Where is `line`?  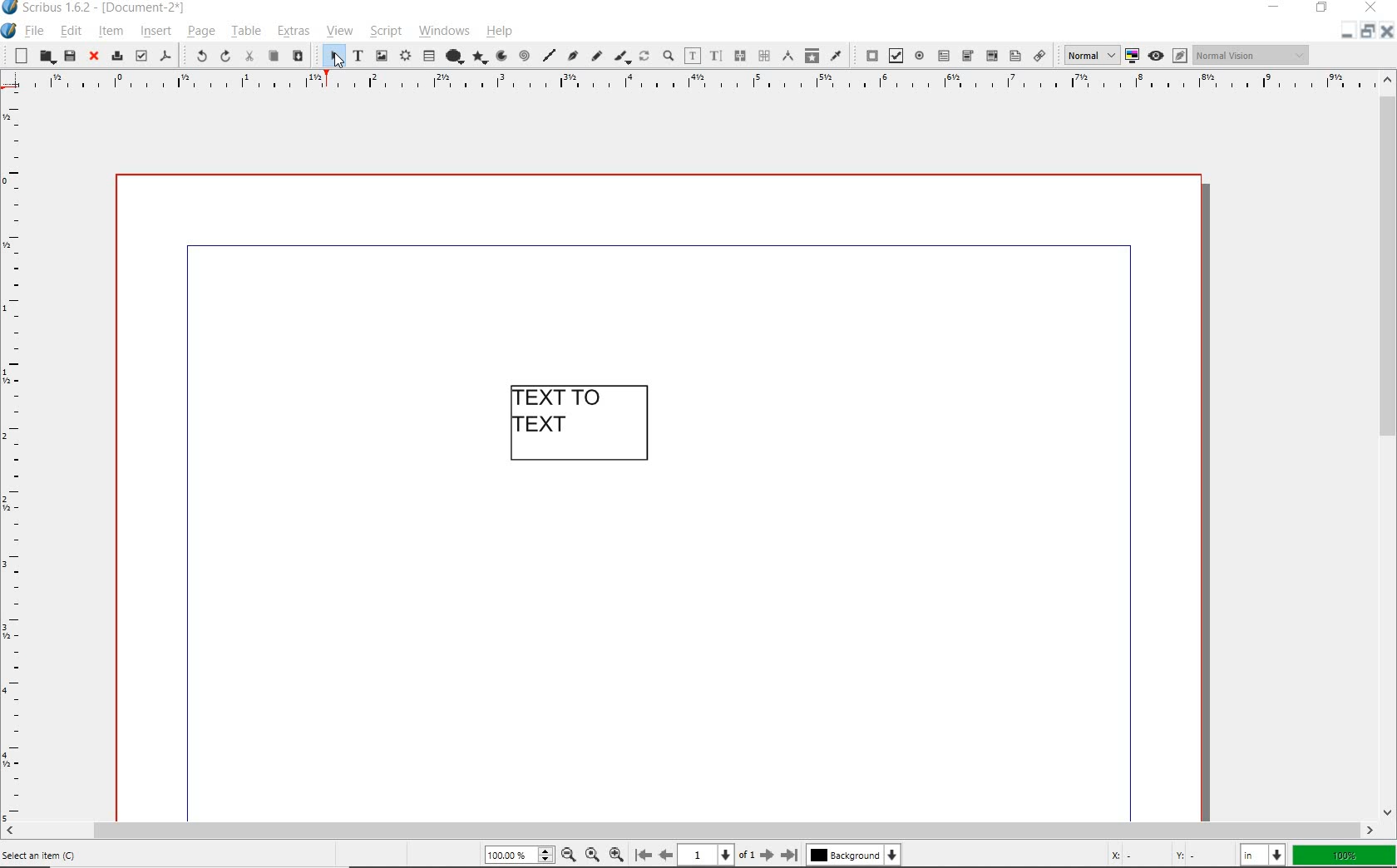
line is located at coordinates (548, 57).